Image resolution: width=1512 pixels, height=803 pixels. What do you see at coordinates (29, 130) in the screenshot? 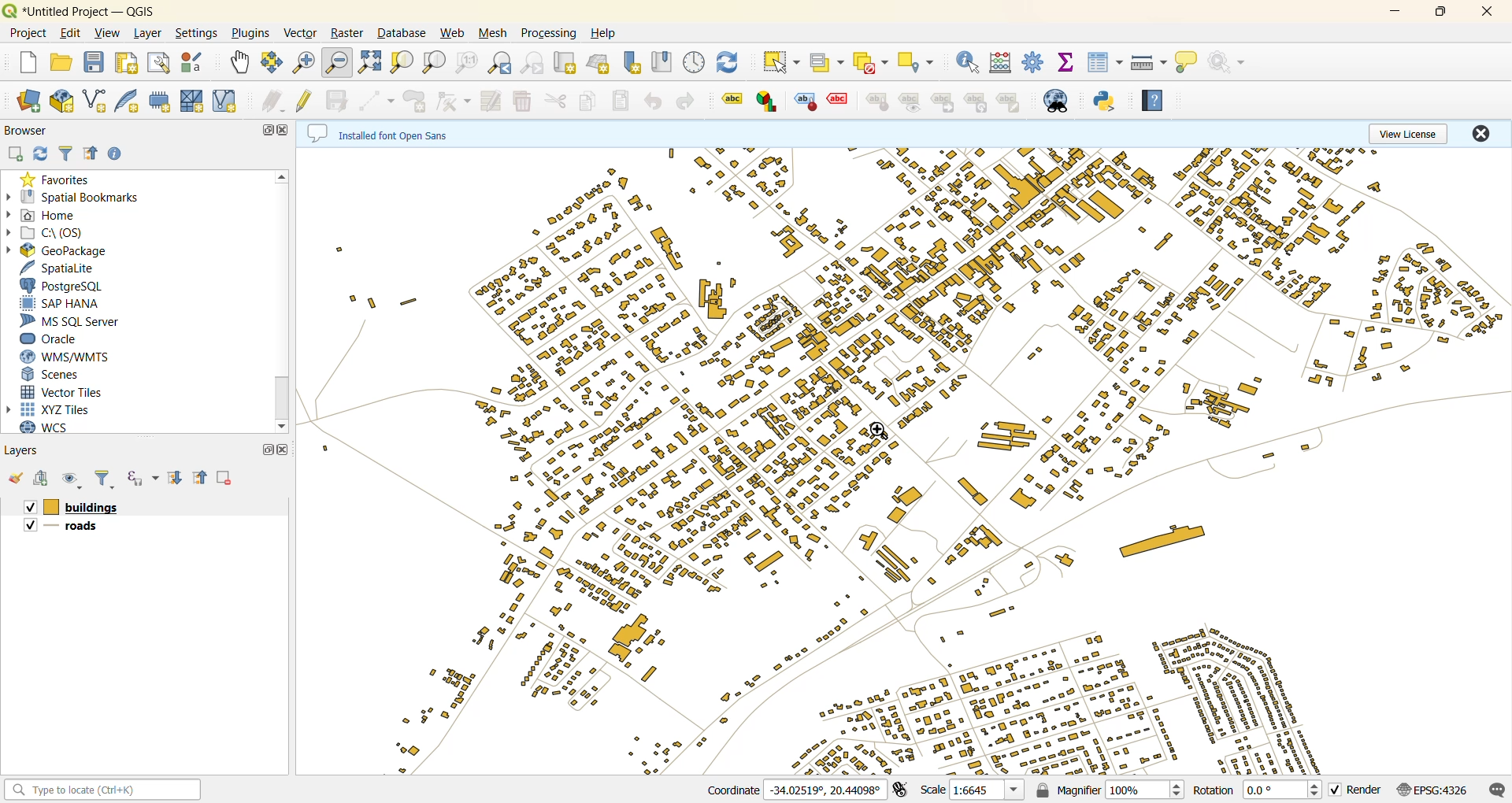
I see `browser` at bounding box center [29, 130].